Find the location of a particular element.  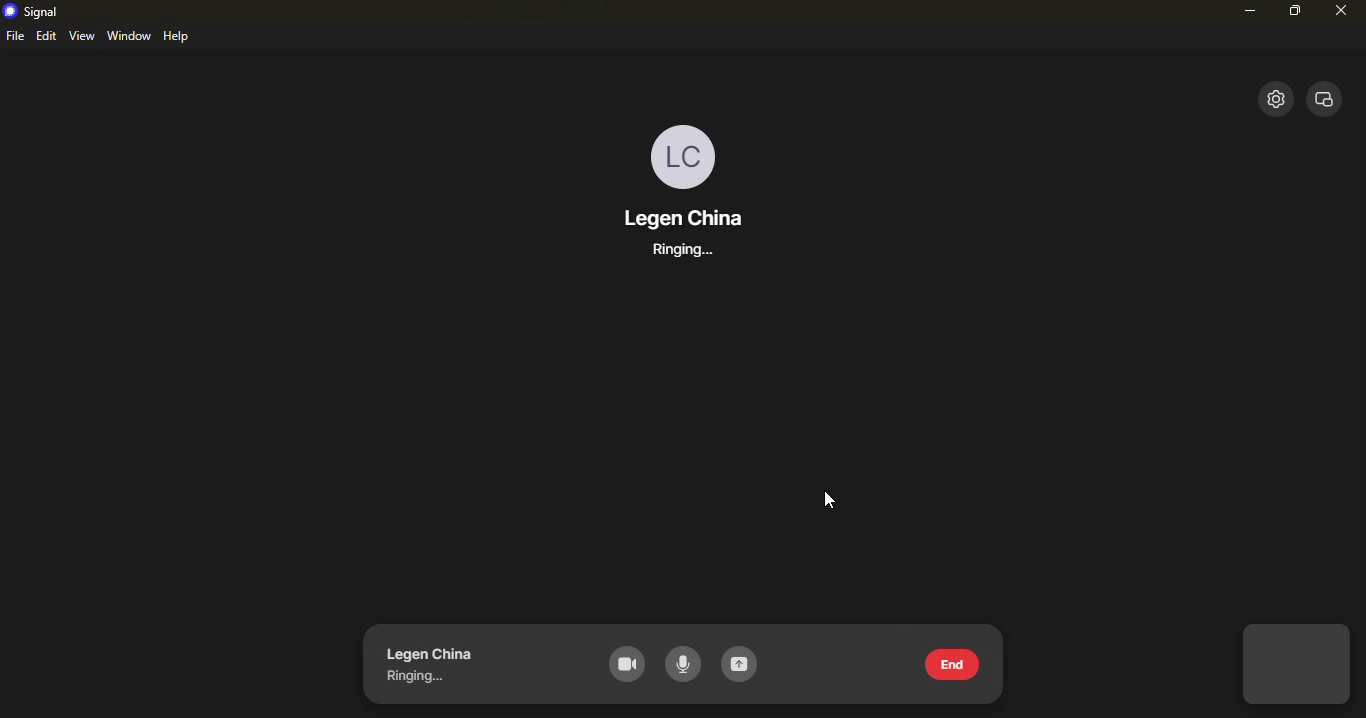

ringing is located at coordinates (421, 678).